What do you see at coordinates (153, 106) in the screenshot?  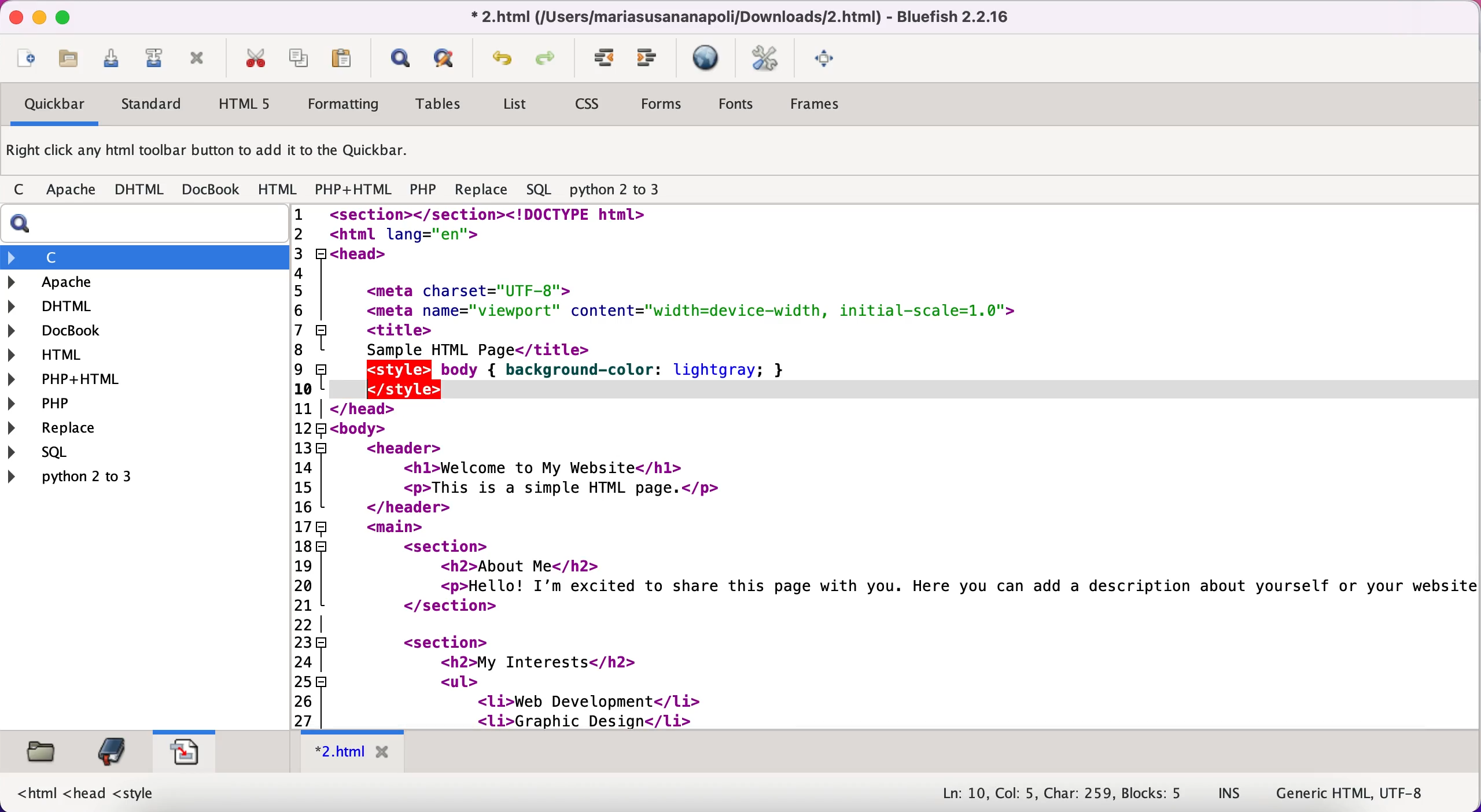 I see `standard` at bounding box center [153, 106].